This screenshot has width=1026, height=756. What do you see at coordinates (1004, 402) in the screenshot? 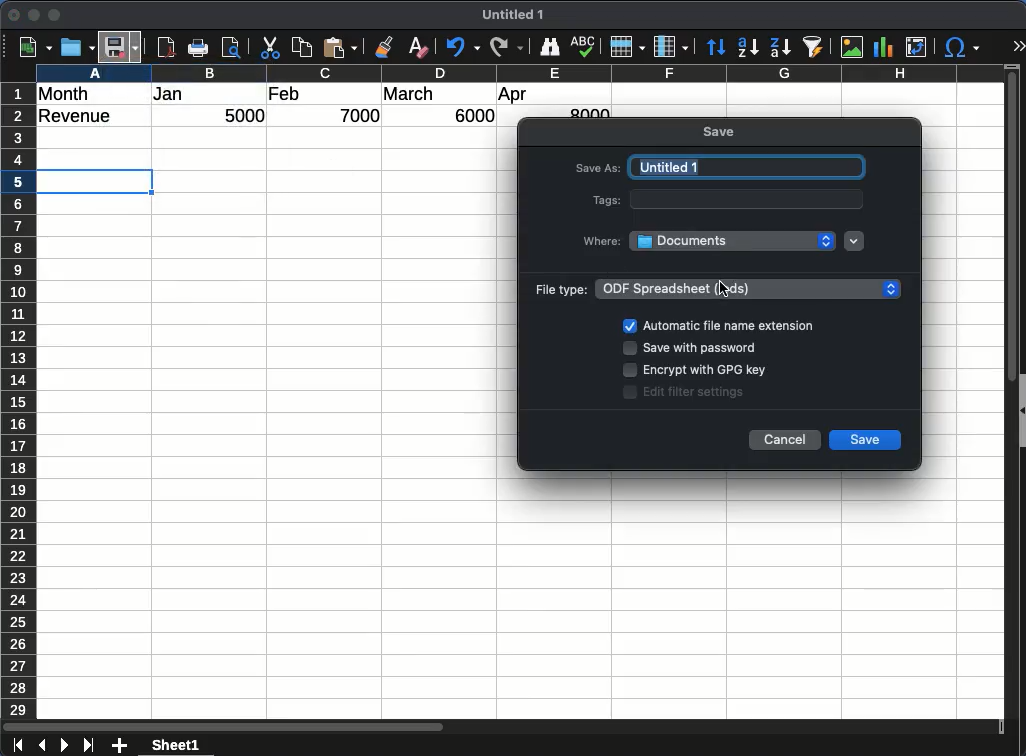
I see `scroll` at bounding box center [1004, 402].